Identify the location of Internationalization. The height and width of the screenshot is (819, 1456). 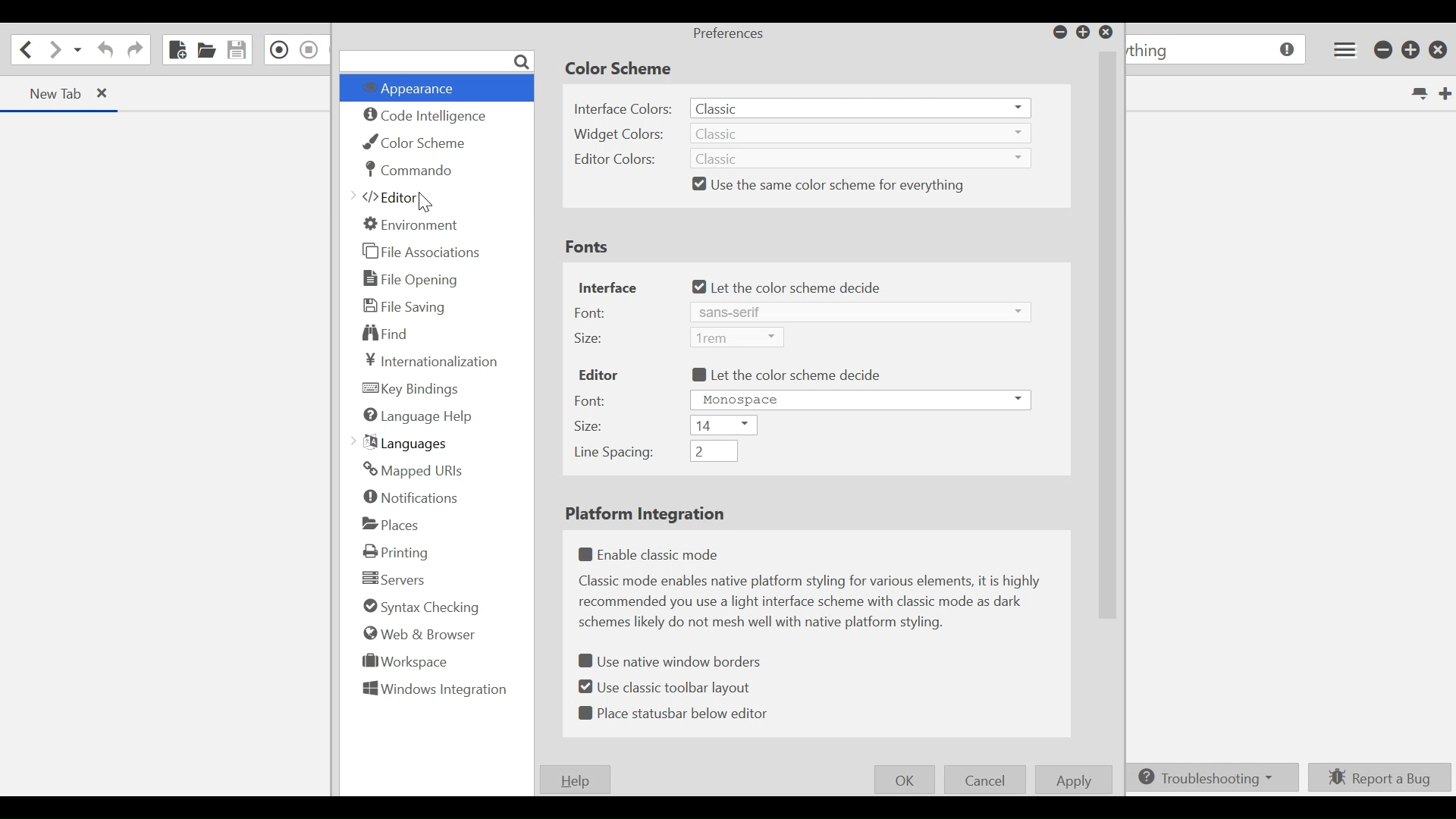
(434, 360).